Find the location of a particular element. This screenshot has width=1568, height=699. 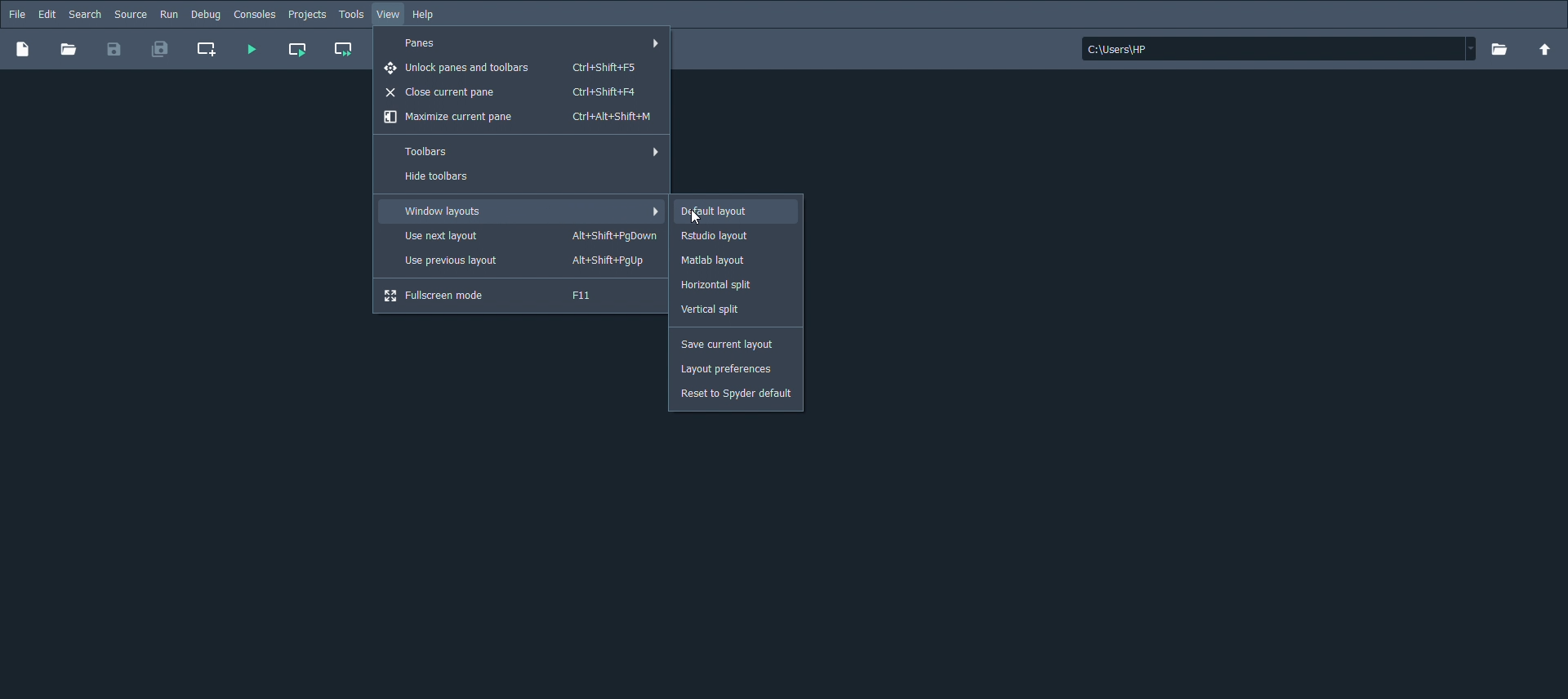

Window layouts is located at coordinates (525, 211).